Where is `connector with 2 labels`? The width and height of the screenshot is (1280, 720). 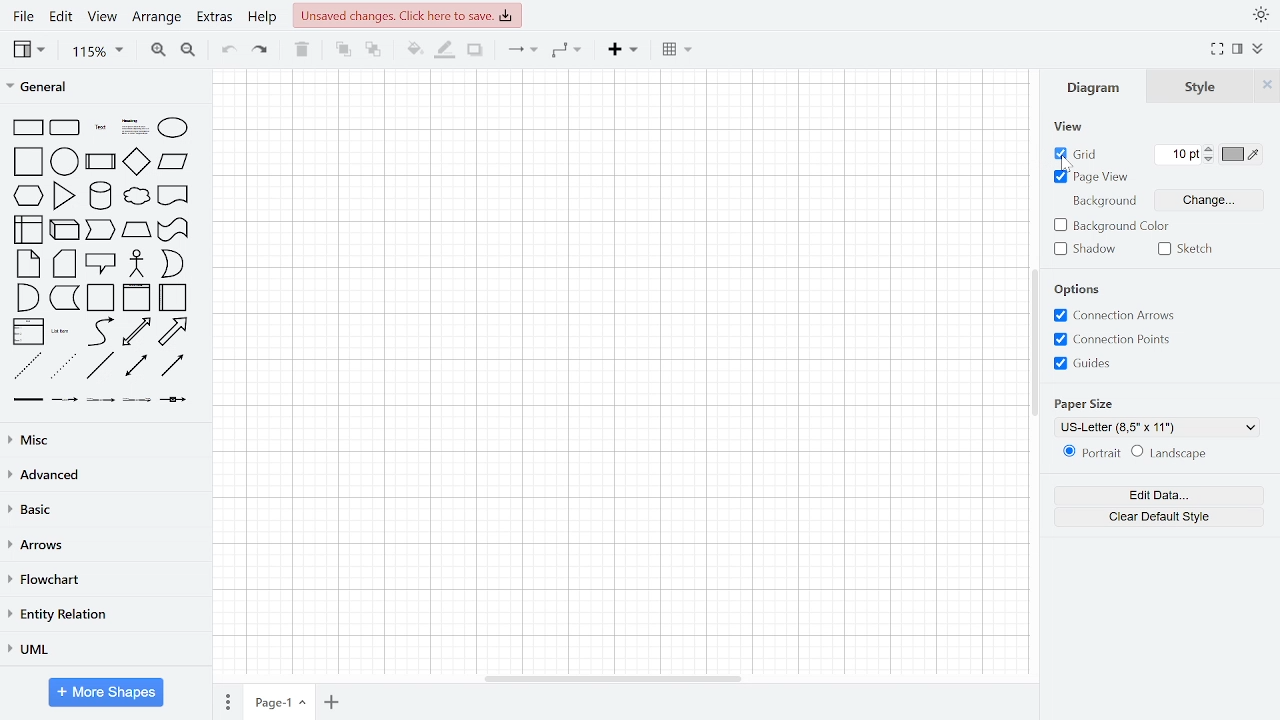
connector with 2 labels is located at coordinates (100, 400).